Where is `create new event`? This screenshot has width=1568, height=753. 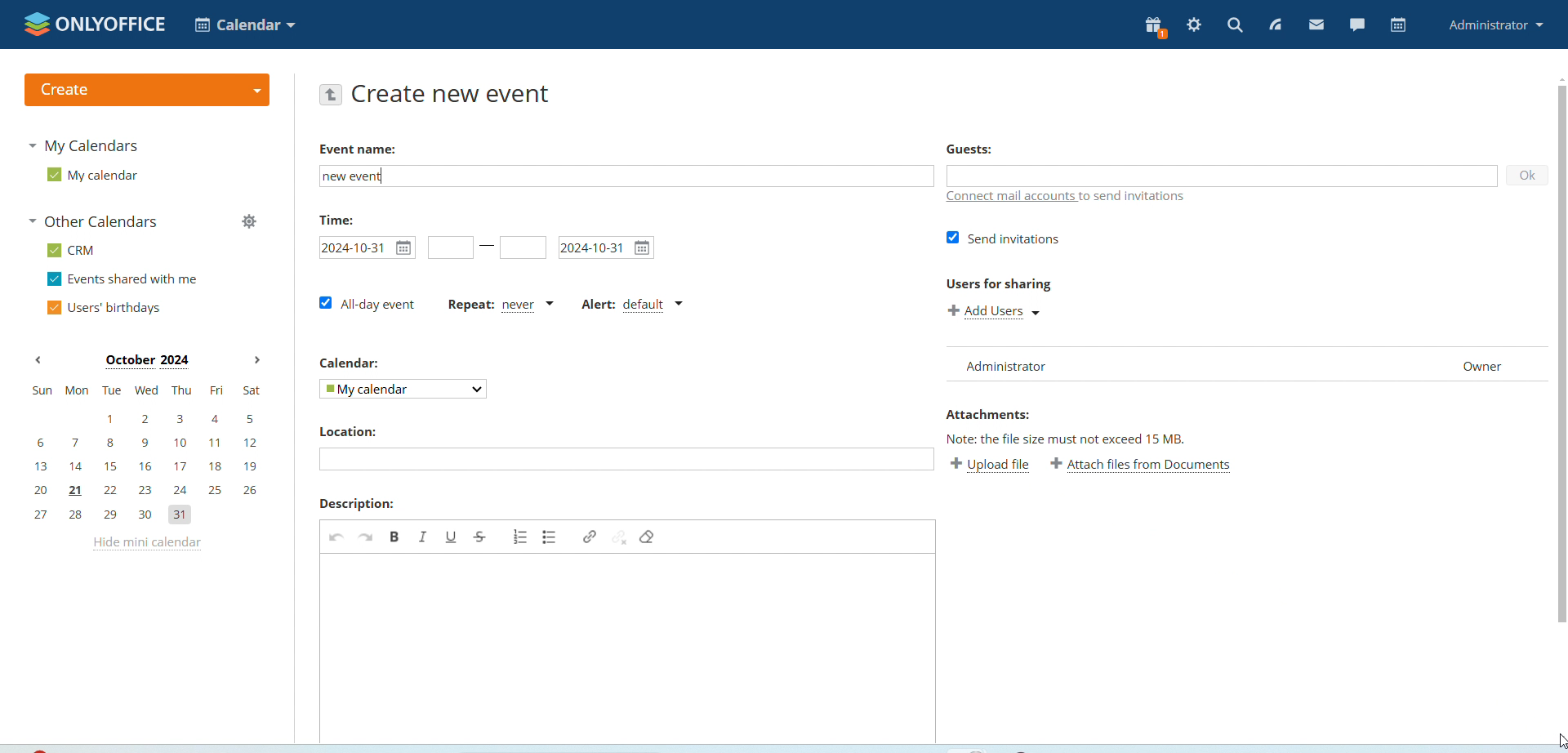
create new event is located at coordinates (456, 97).